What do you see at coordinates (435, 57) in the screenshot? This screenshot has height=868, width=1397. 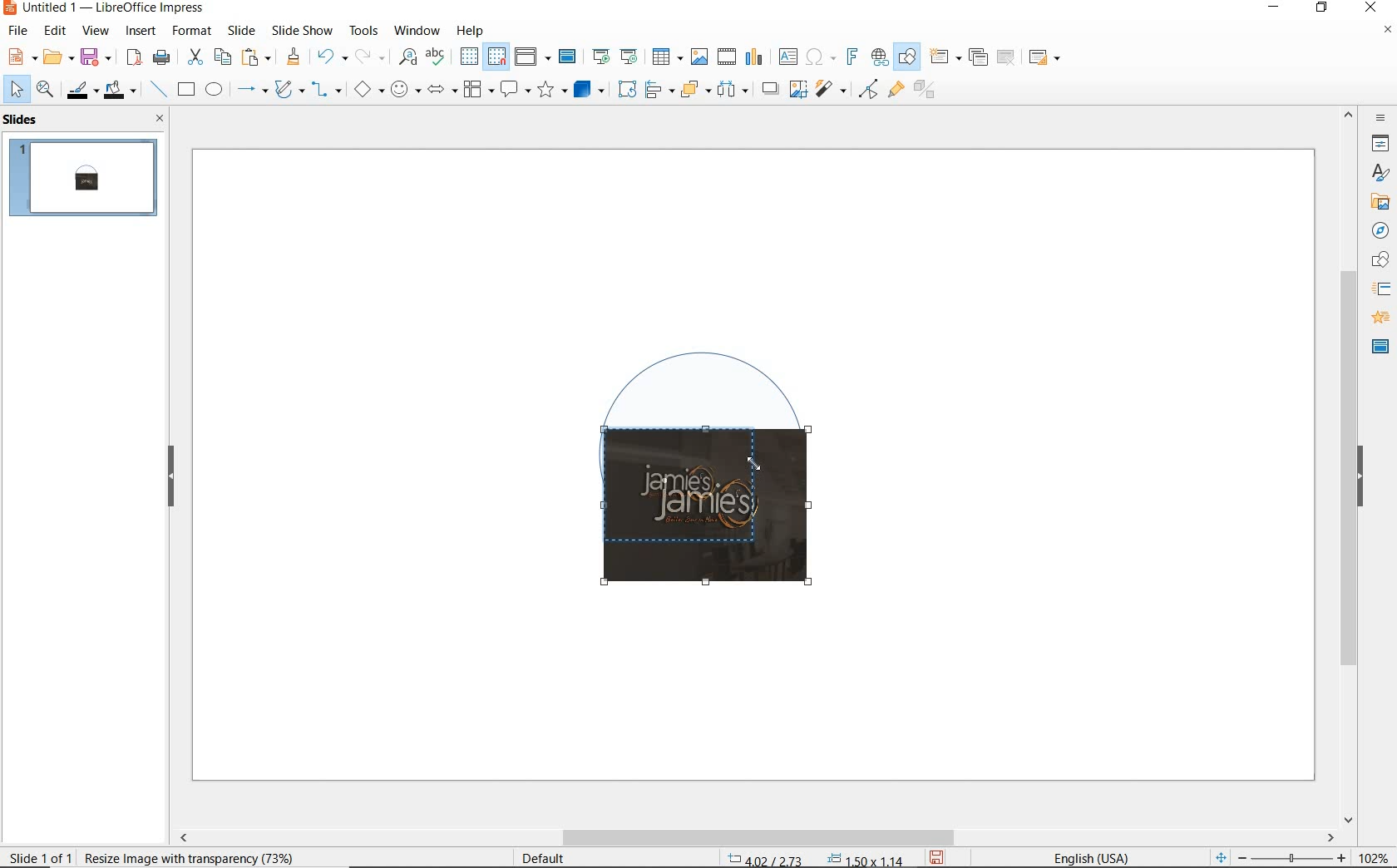 I see `spelling` at bounding box center [435, 57].